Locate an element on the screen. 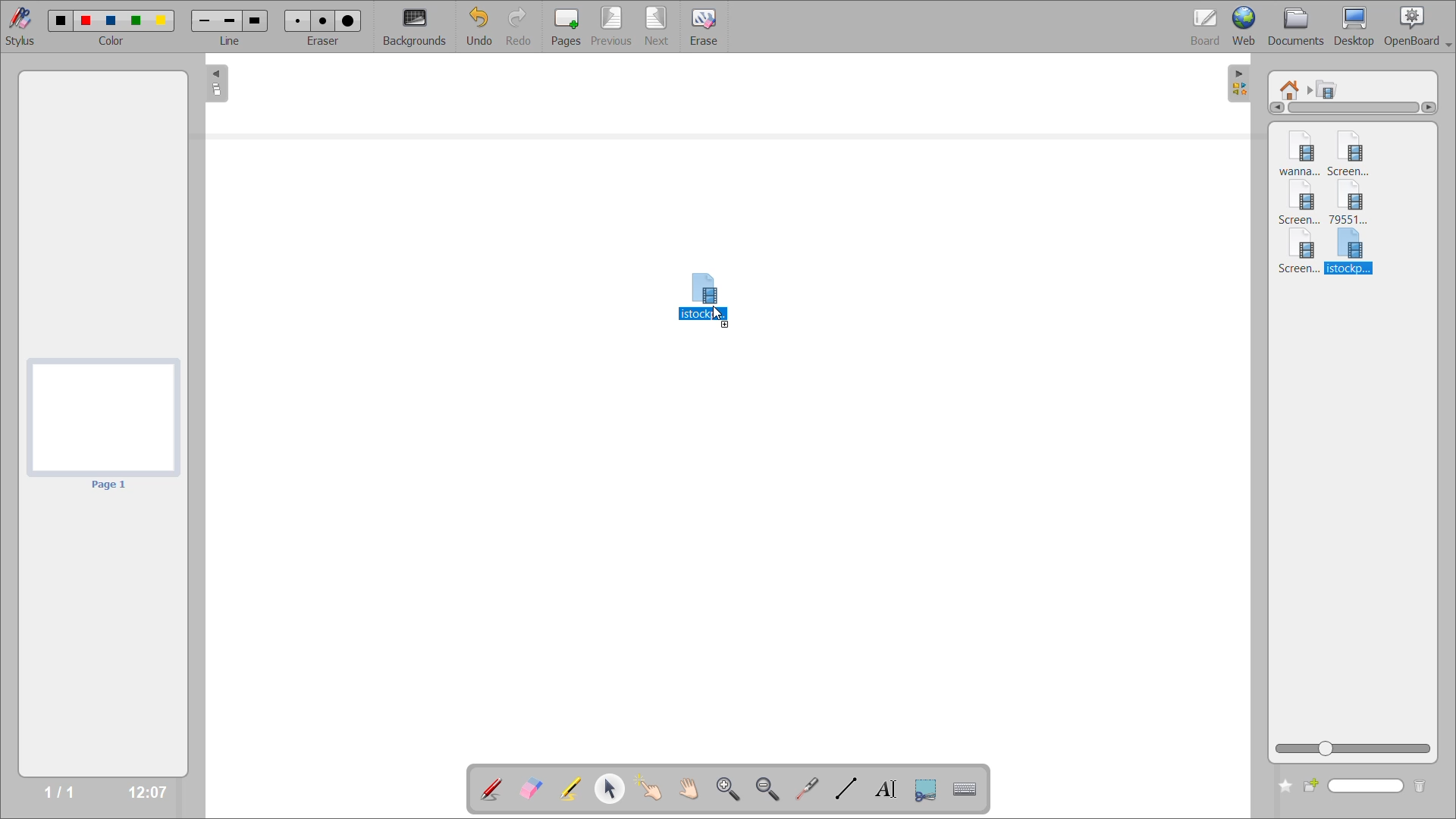 This screenshot has height=819, width=1456. video placed on board is located at coordinates (700, 283).